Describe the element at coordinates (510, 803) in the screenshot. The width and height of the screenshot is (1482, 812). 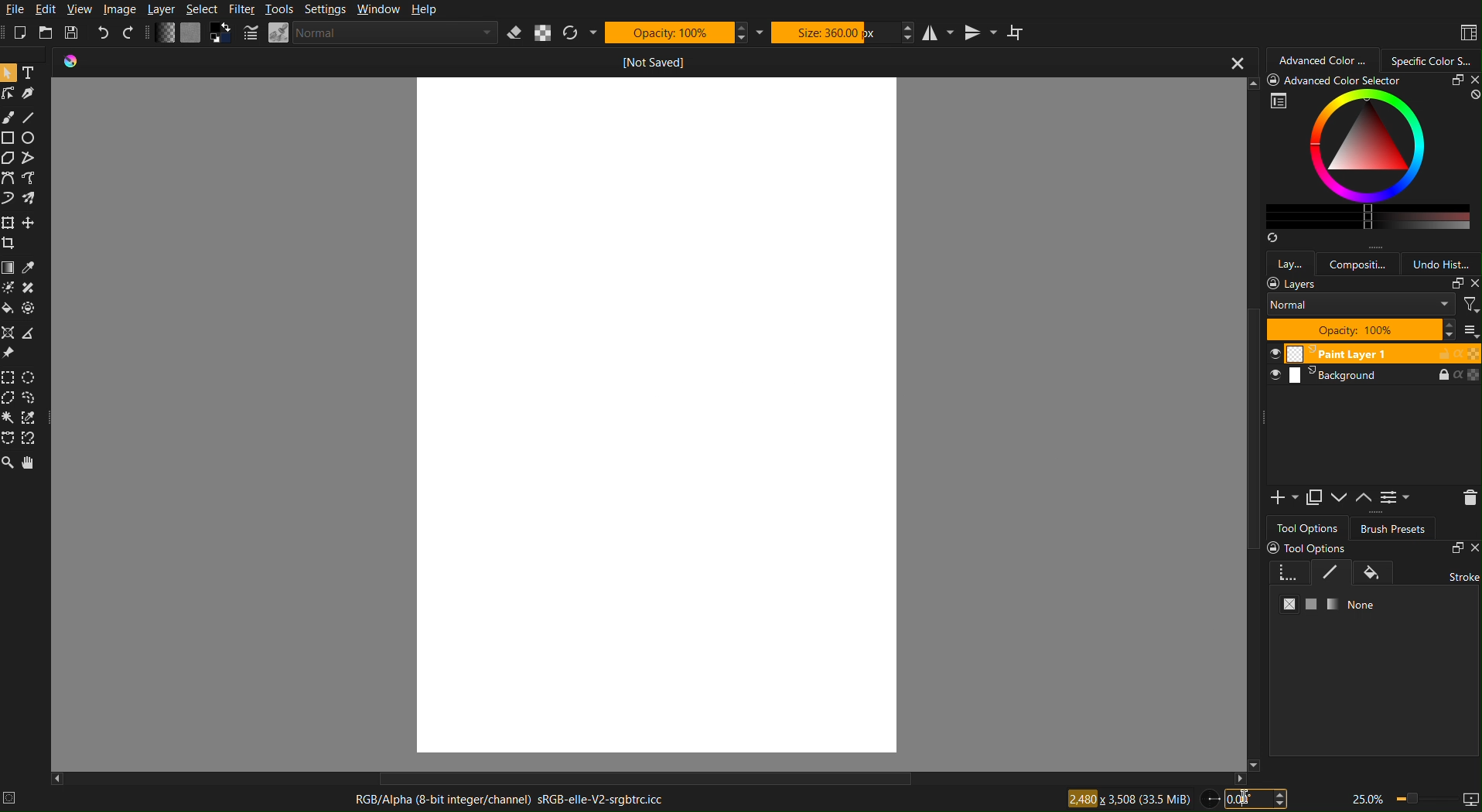
I see `RGB Alpha Channel` at that location.